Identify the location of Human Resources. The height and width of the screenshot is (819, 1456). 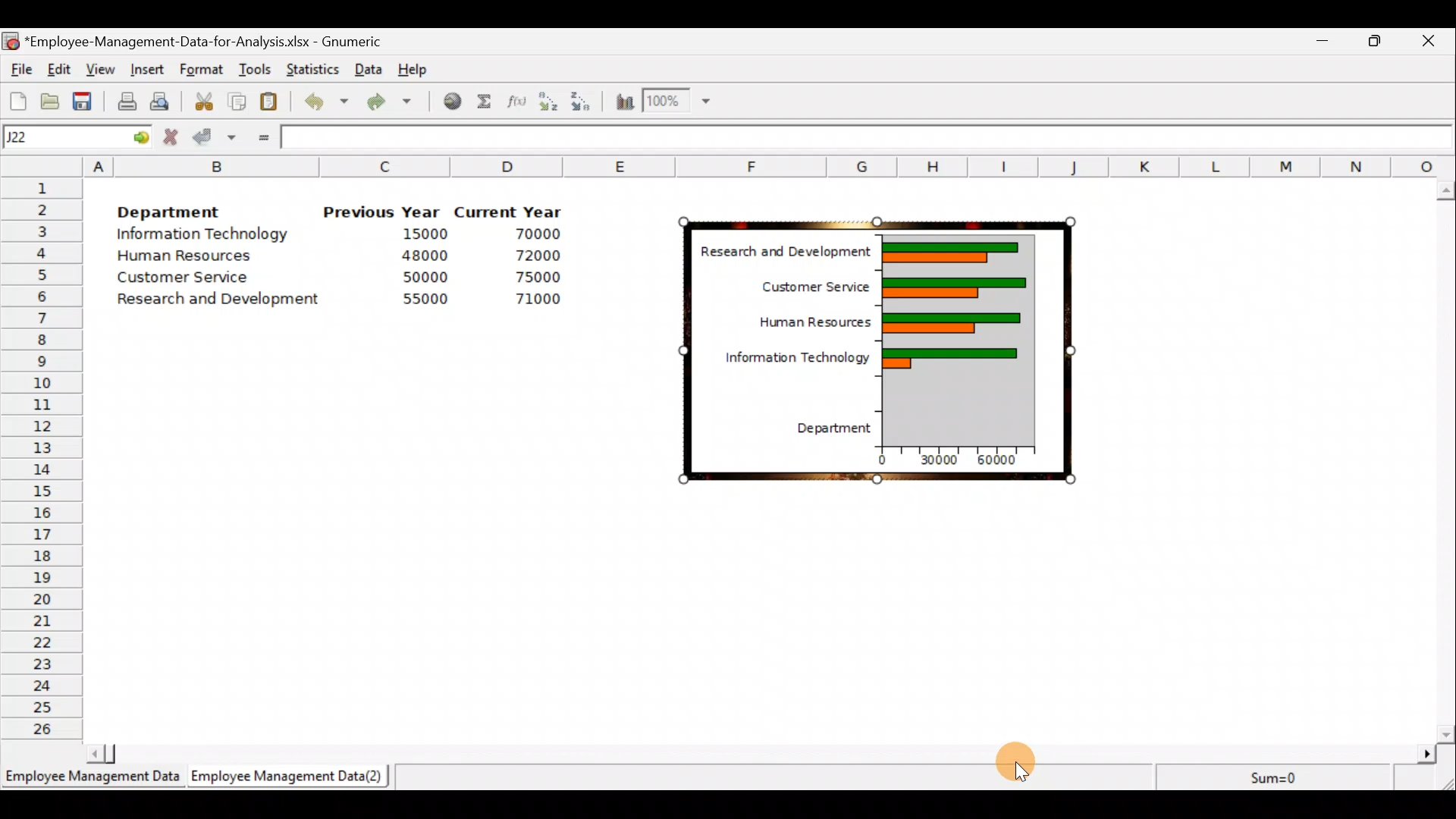
(196, 257).